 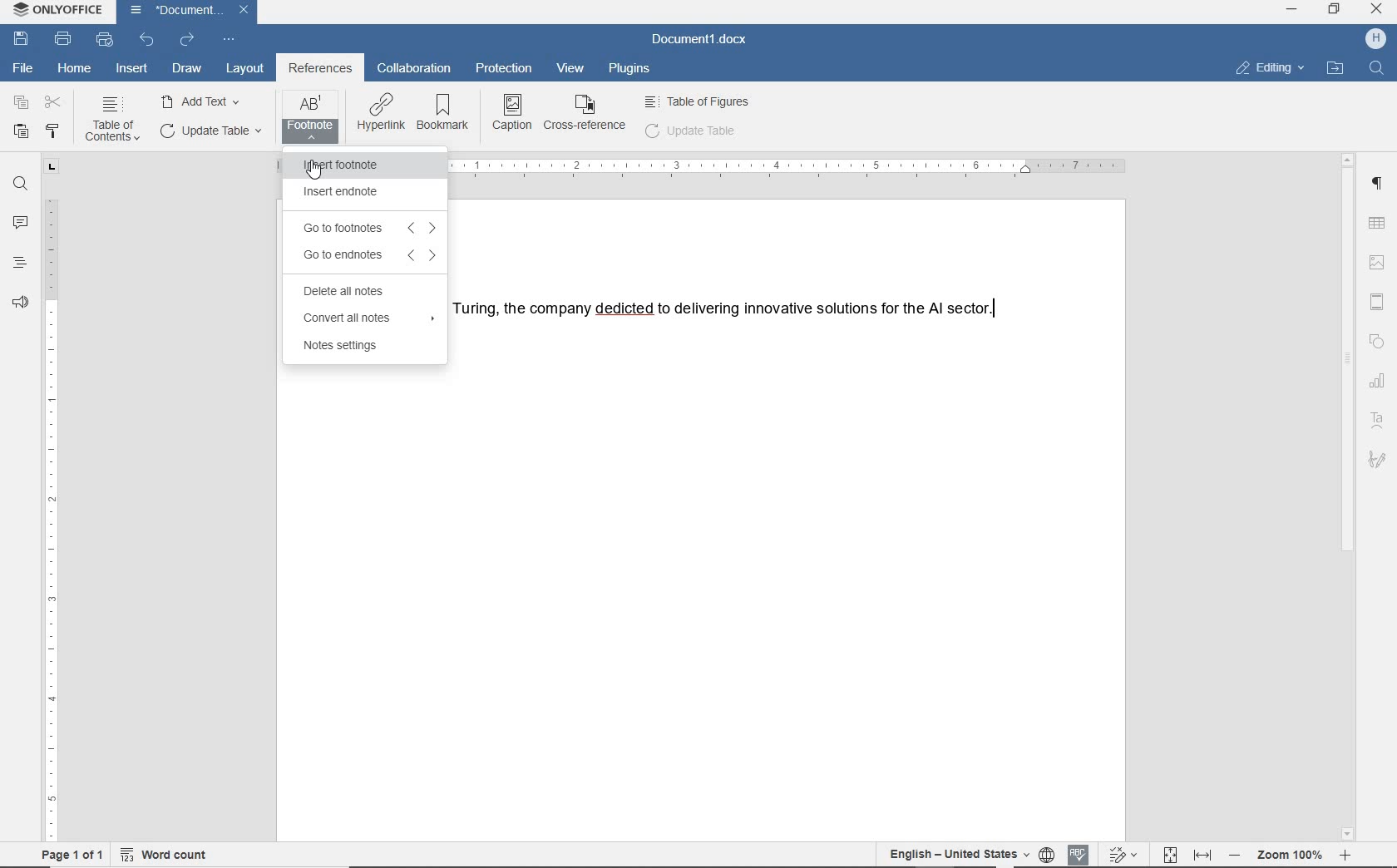 I want to click on layout, so click(x=245, y=70).